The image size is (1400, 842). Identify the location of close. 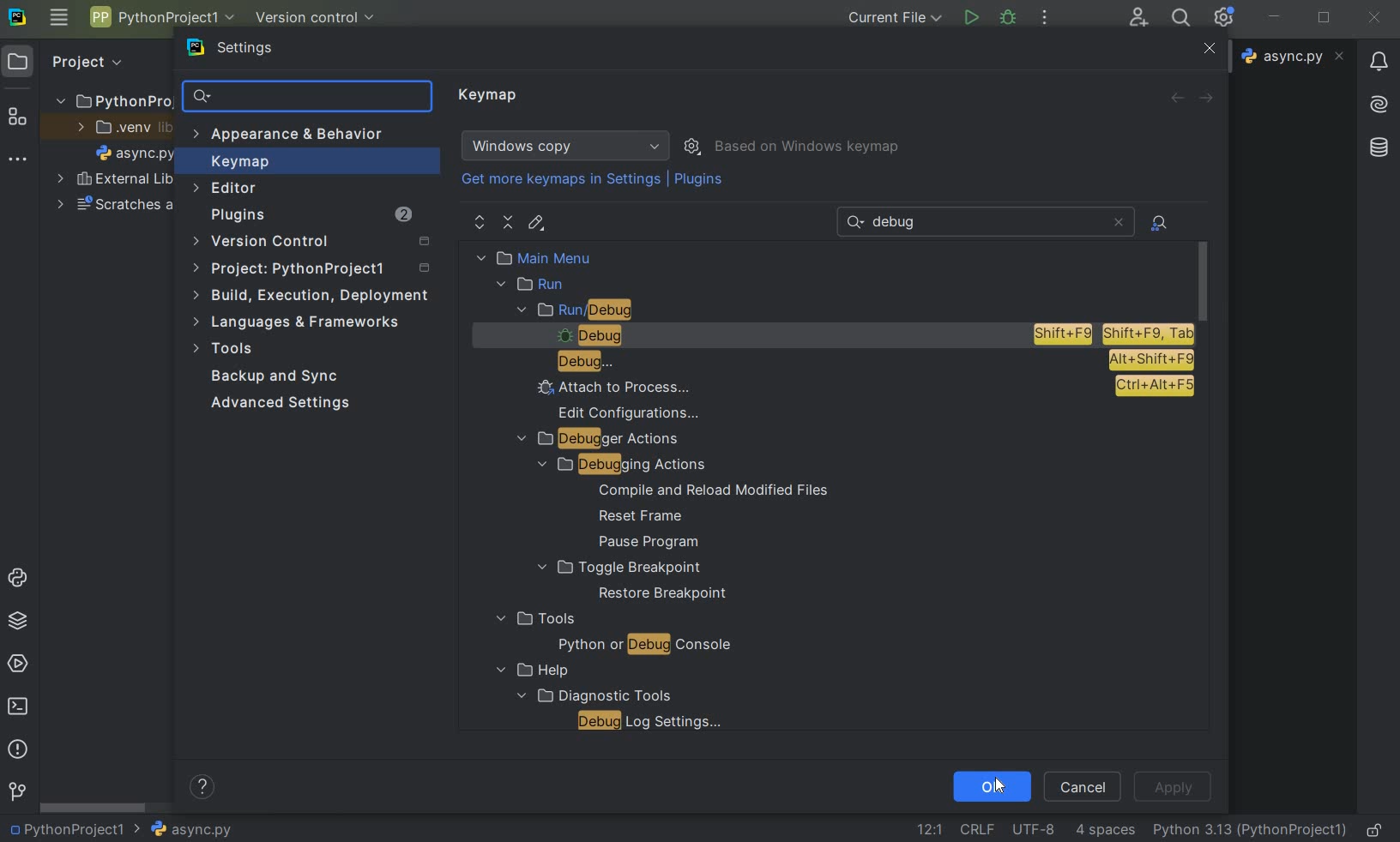
(1207, 50).